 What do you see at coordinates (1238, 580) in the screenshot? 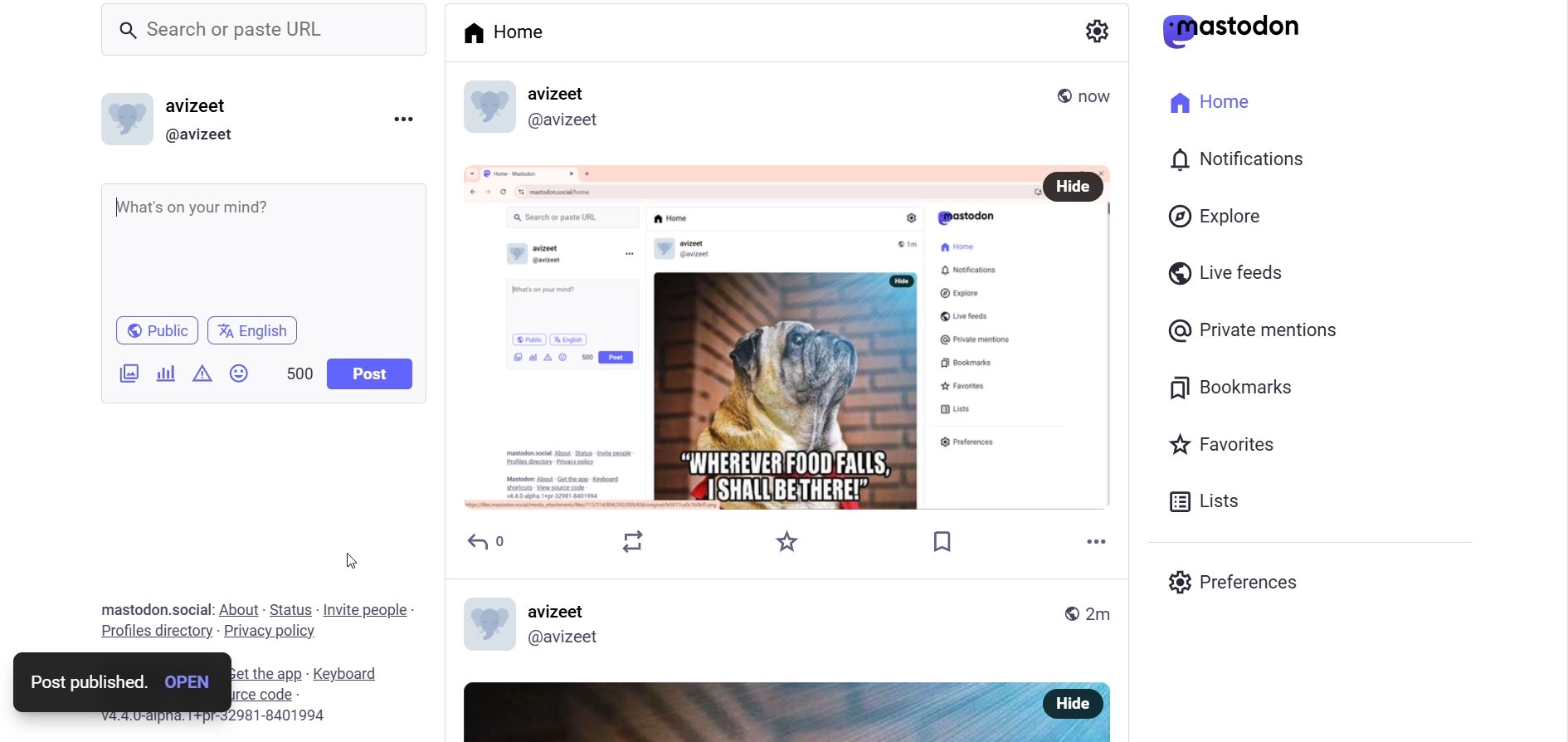
I see `preferences` at bounding box center [1238, 580].